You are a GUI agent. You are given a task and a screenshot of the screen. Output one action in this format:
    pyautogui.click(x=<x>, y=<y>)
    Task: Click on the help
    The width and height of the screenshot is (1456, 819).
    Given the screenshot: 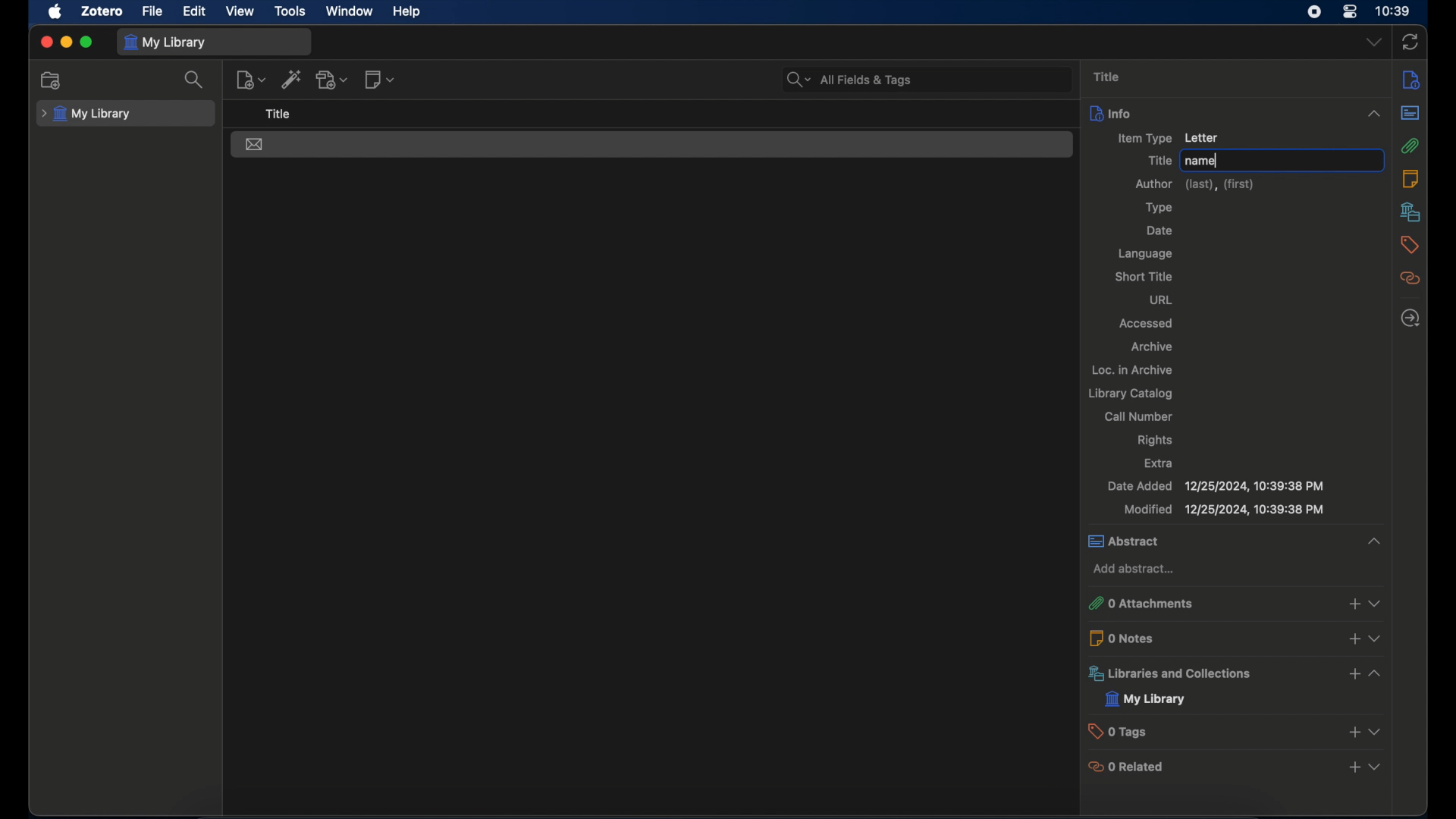 What is the action you would take?
    pyautogui.click(x=408, y=12)
    